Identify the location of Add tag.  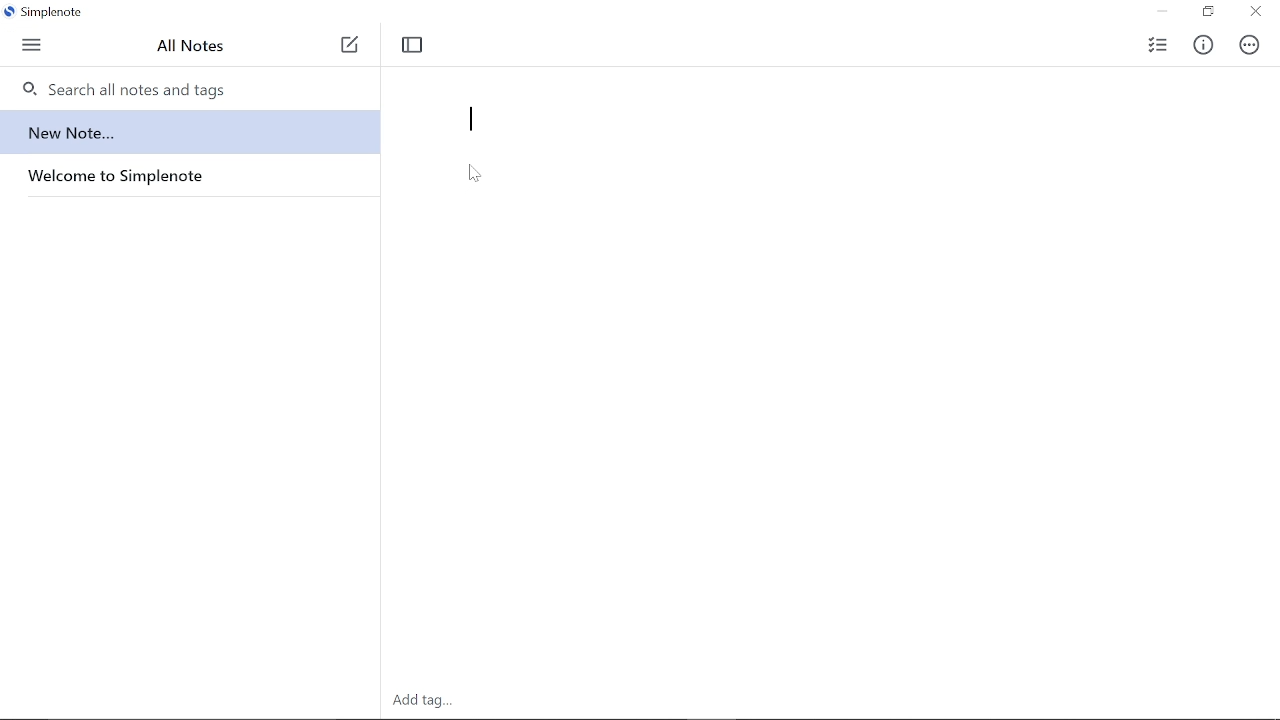
(423, 703).